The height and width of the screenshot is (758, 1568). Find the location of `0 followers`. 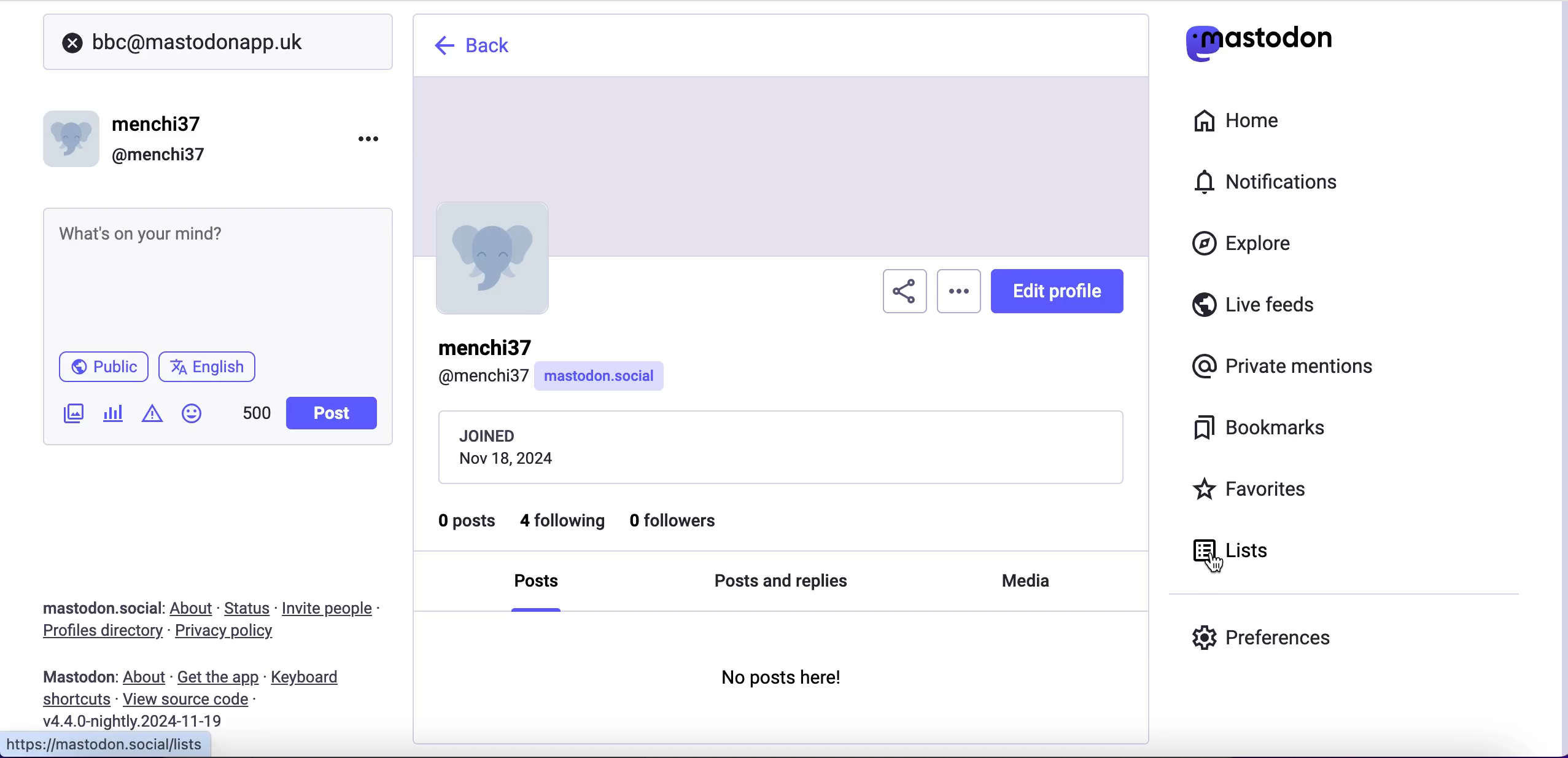

0 followers is located at coordinates (677, 521).